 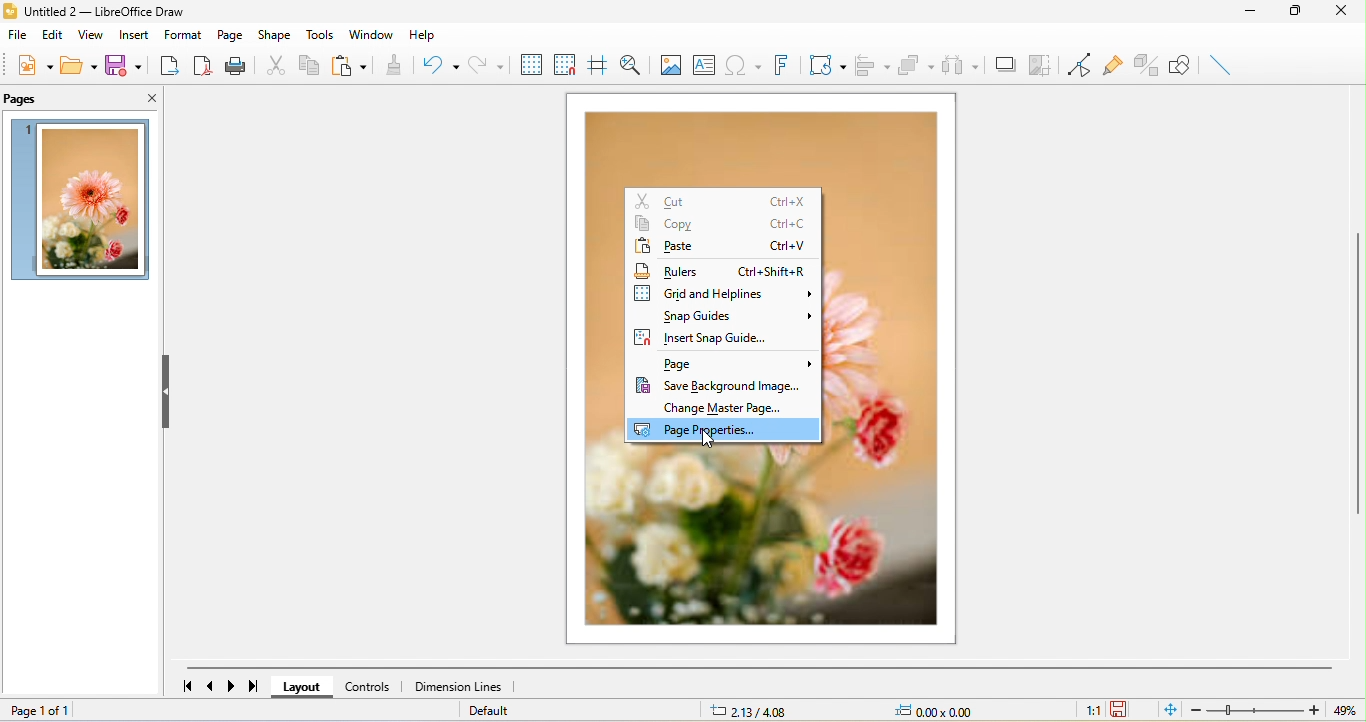 I want to click on page, so click(x=232, y=34).